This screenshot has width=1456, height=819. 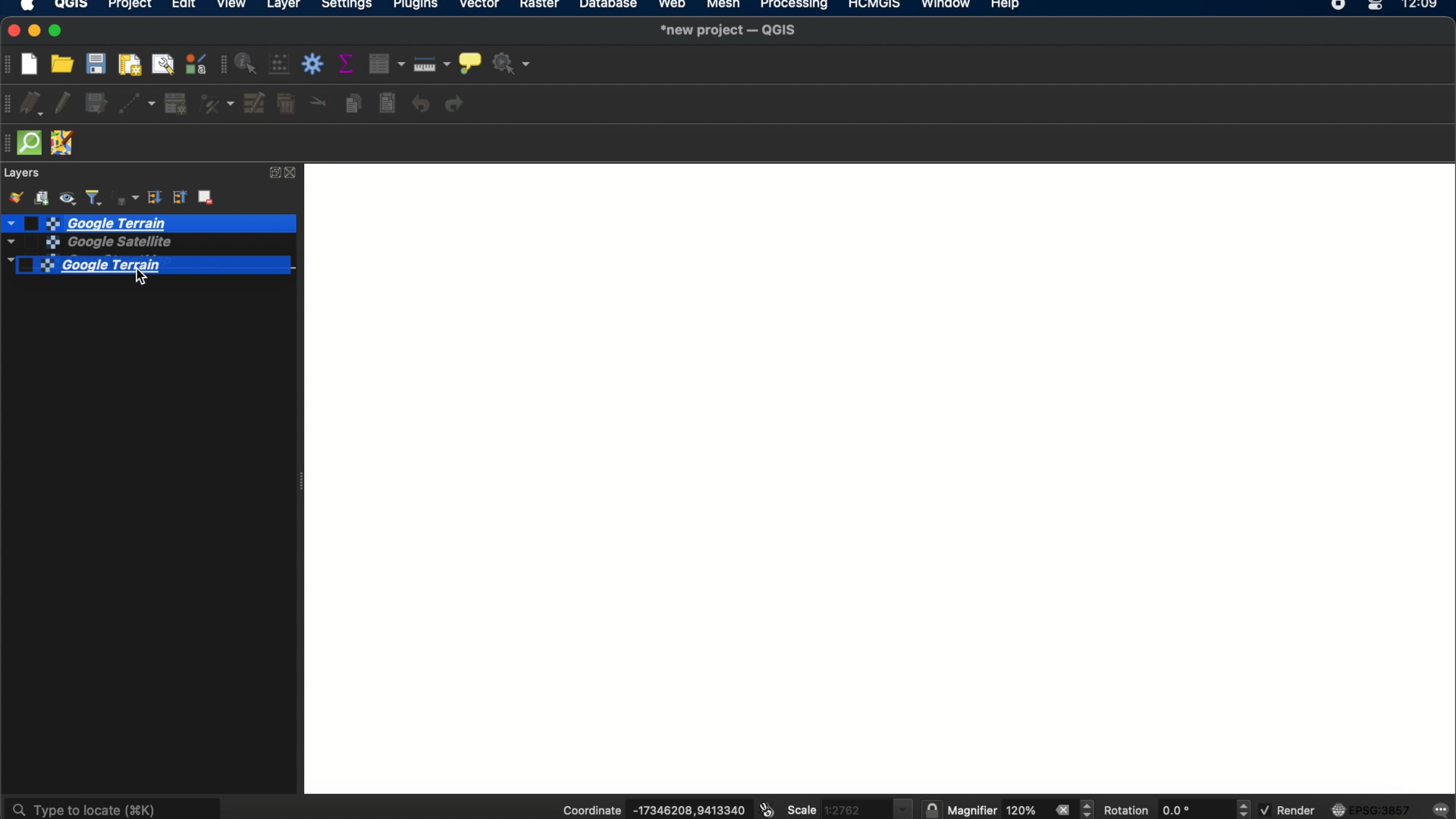 What do you see at coordinates (14, 197) in the screenshot?
I see `open layer styling panel` at bounding box center [14, 197].